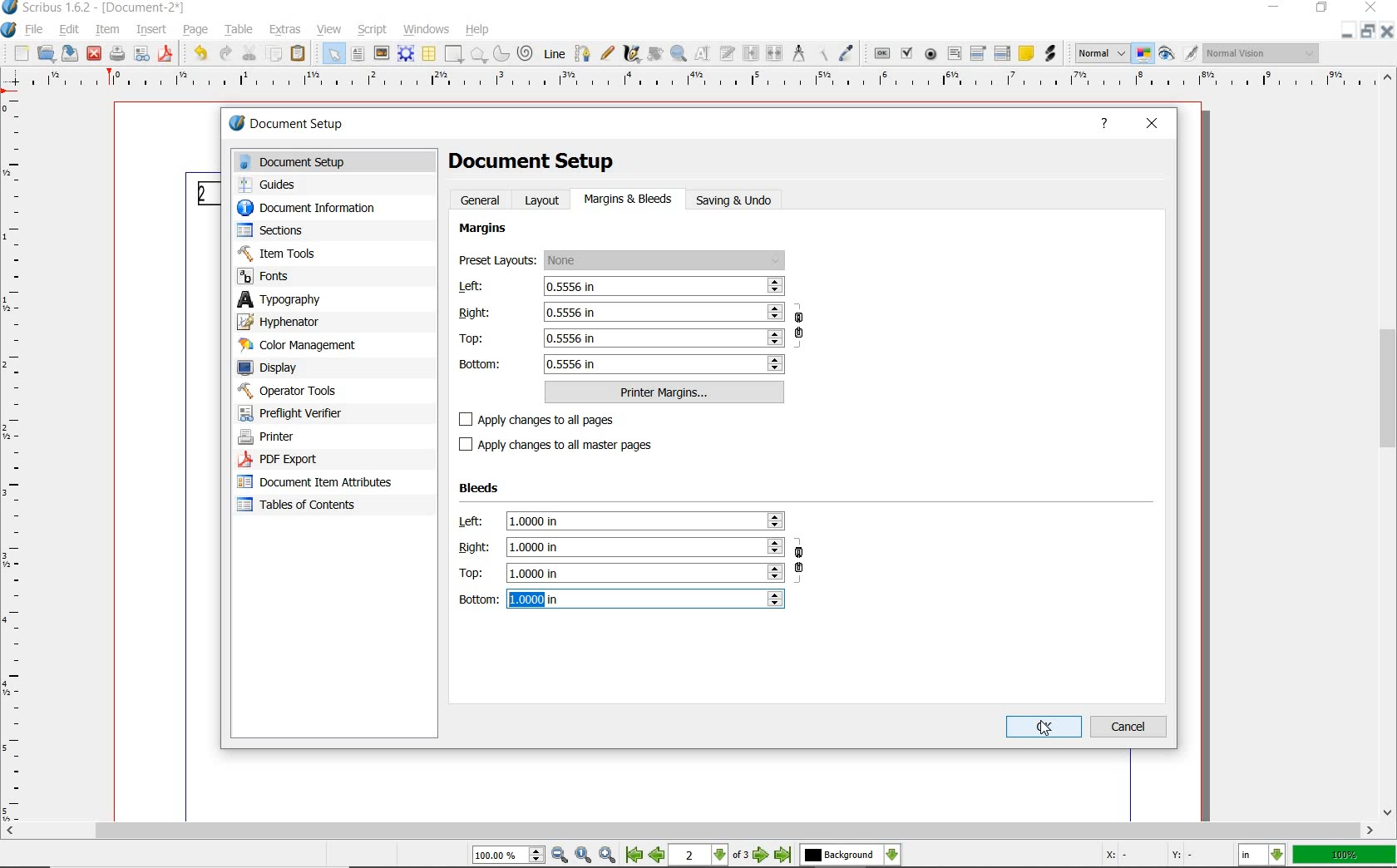  What do you see at coordinates (1051, 54) in the screenshot?
I see `link annotation` at bounding box center [1051, 54].